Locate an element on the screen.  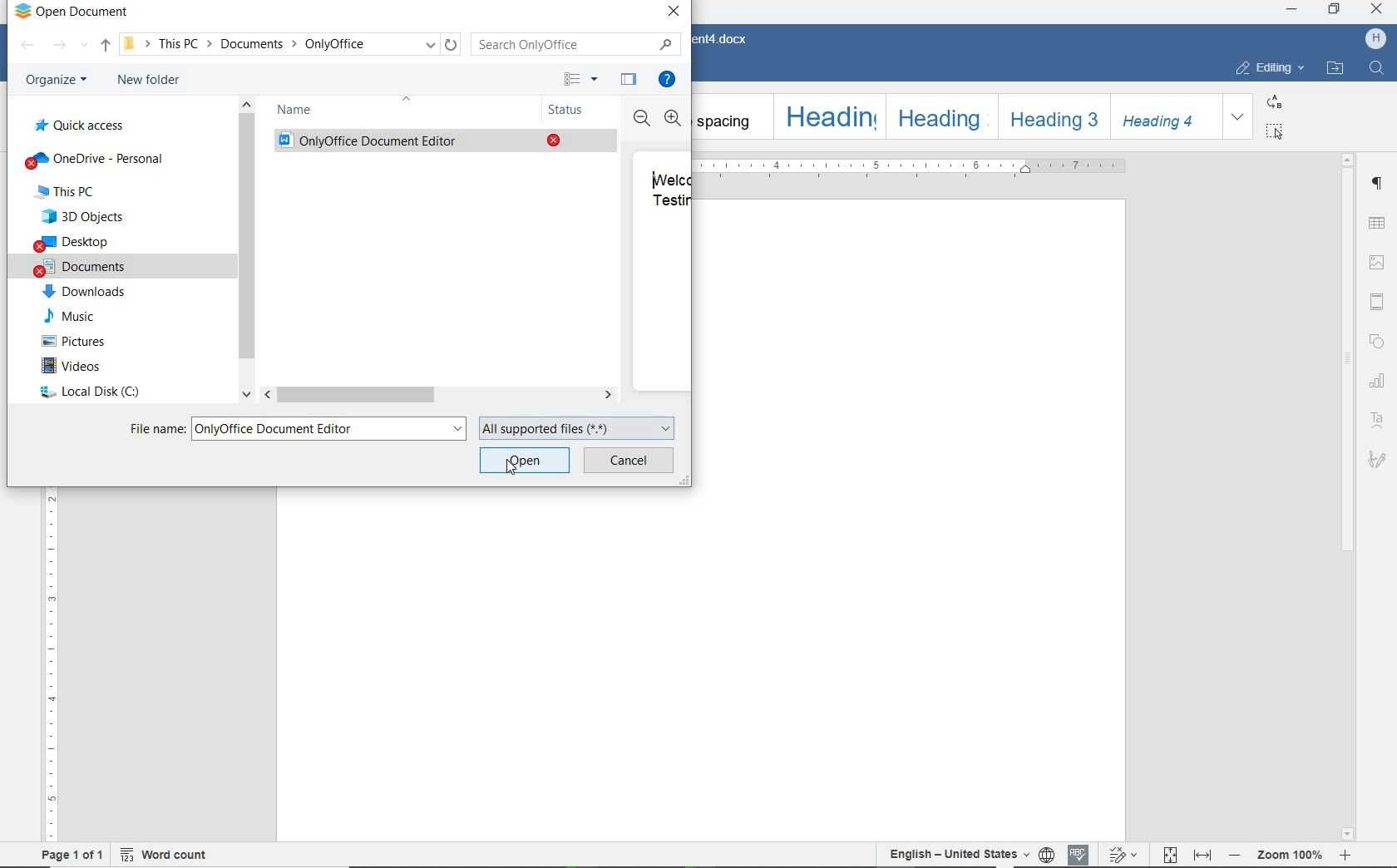
scrollbar is located at coordinates (439, 394).